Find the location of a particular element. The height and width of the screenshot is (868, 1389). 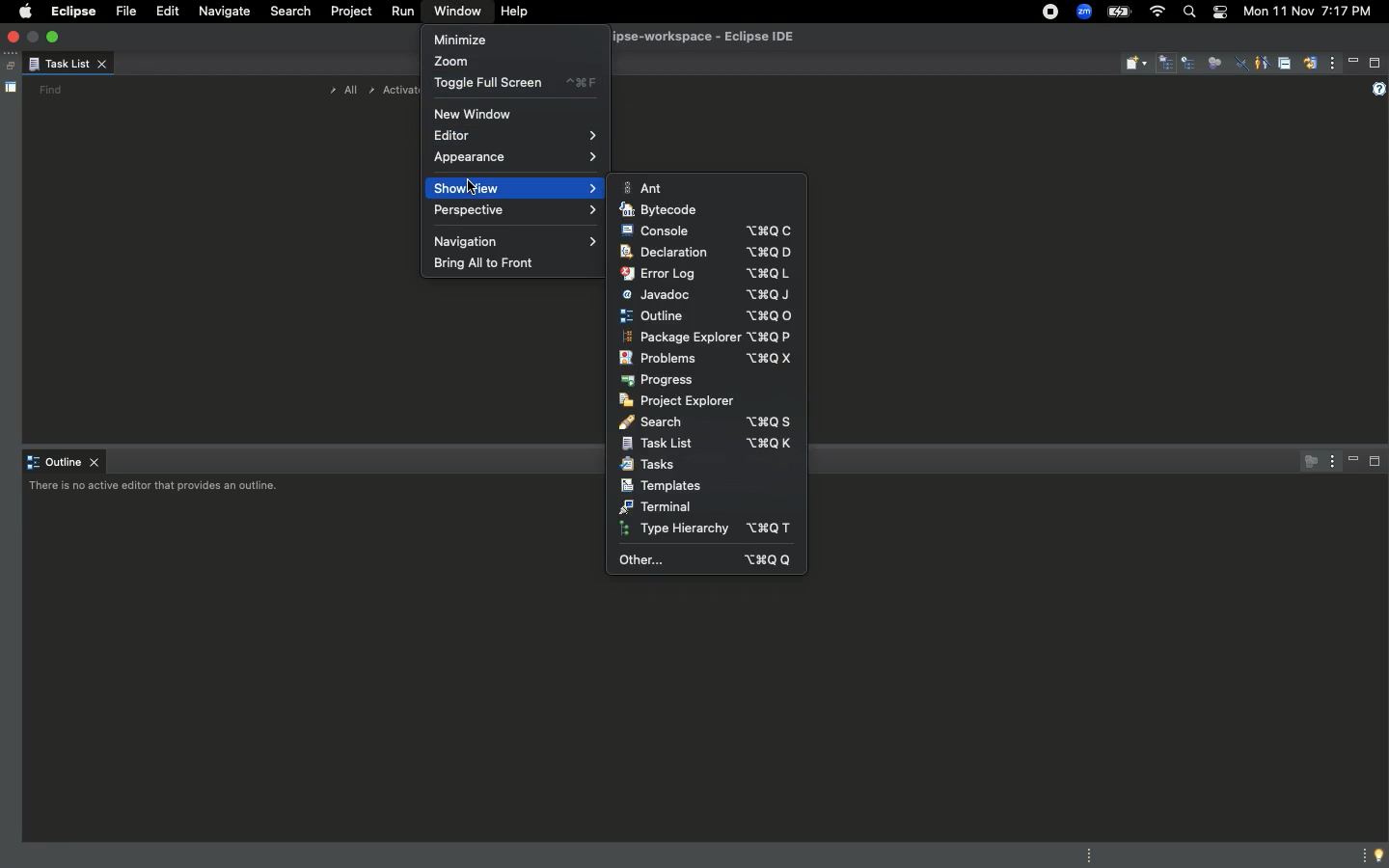

Bring all to front is located at coordinates (487, 263).